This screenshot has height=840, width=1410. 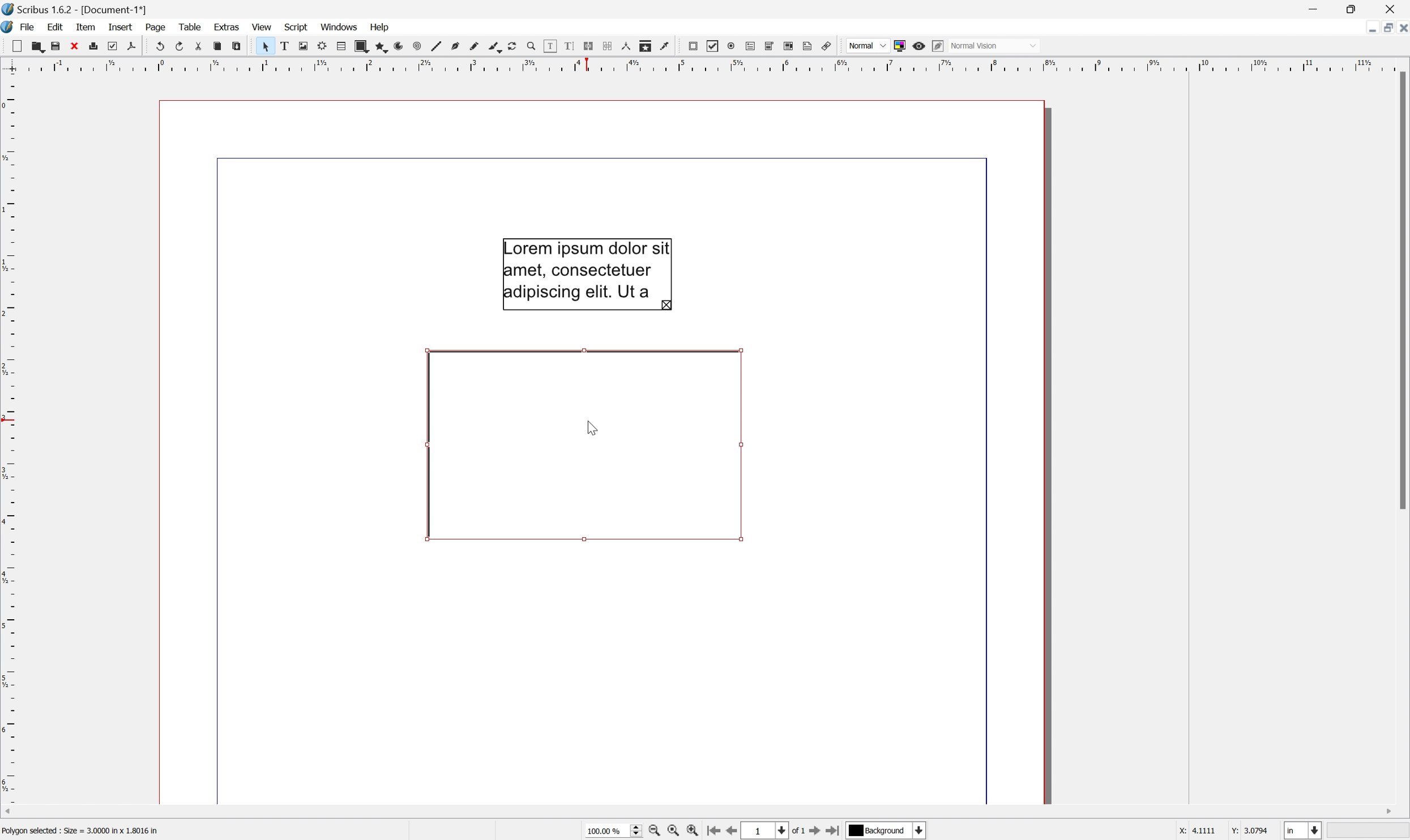 What do you see at coordinates (198, 44) in the screenshot?
I see `Cut` at bounding box center [198, 44].